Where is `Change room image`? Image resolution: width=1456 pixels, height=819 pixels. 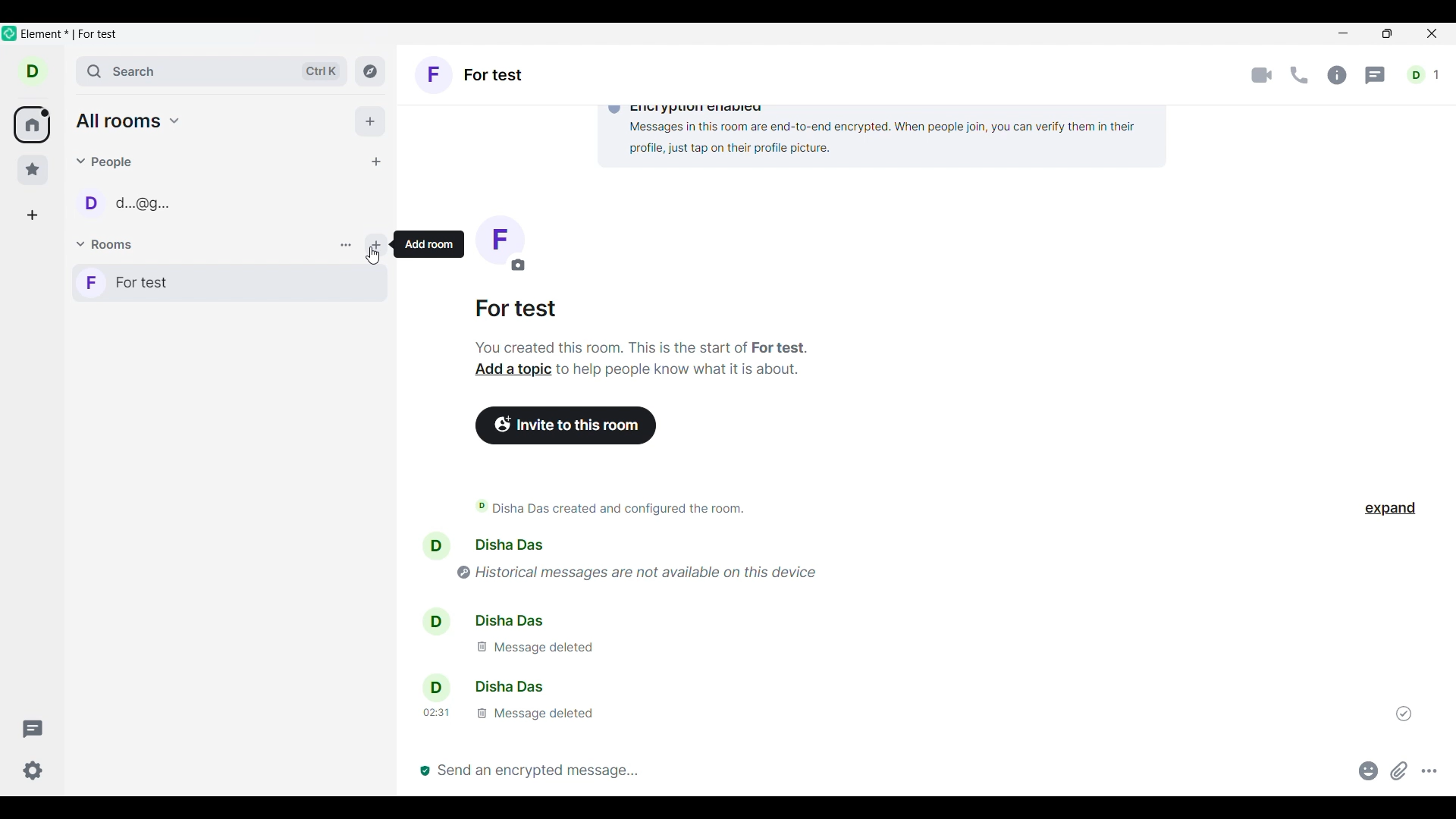
Change room image is located at coordinates (500, 243).